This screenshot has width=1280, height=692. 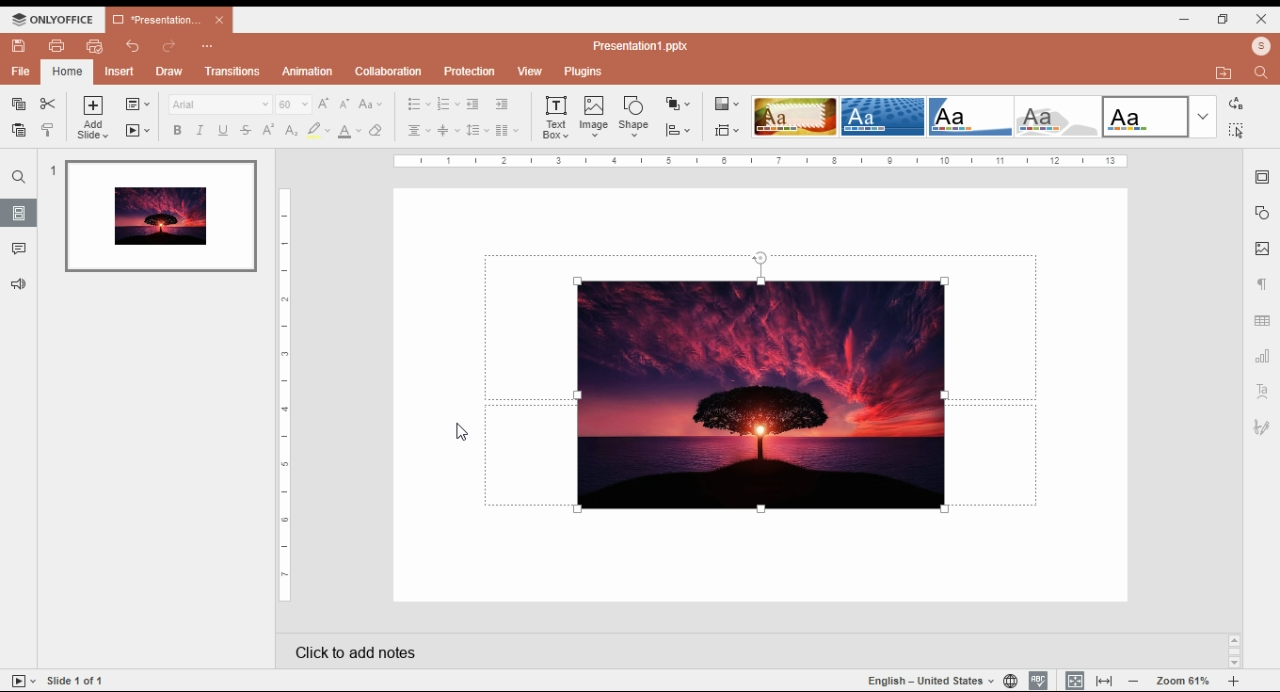 I want to click on comments, so click(x=20, y=250).